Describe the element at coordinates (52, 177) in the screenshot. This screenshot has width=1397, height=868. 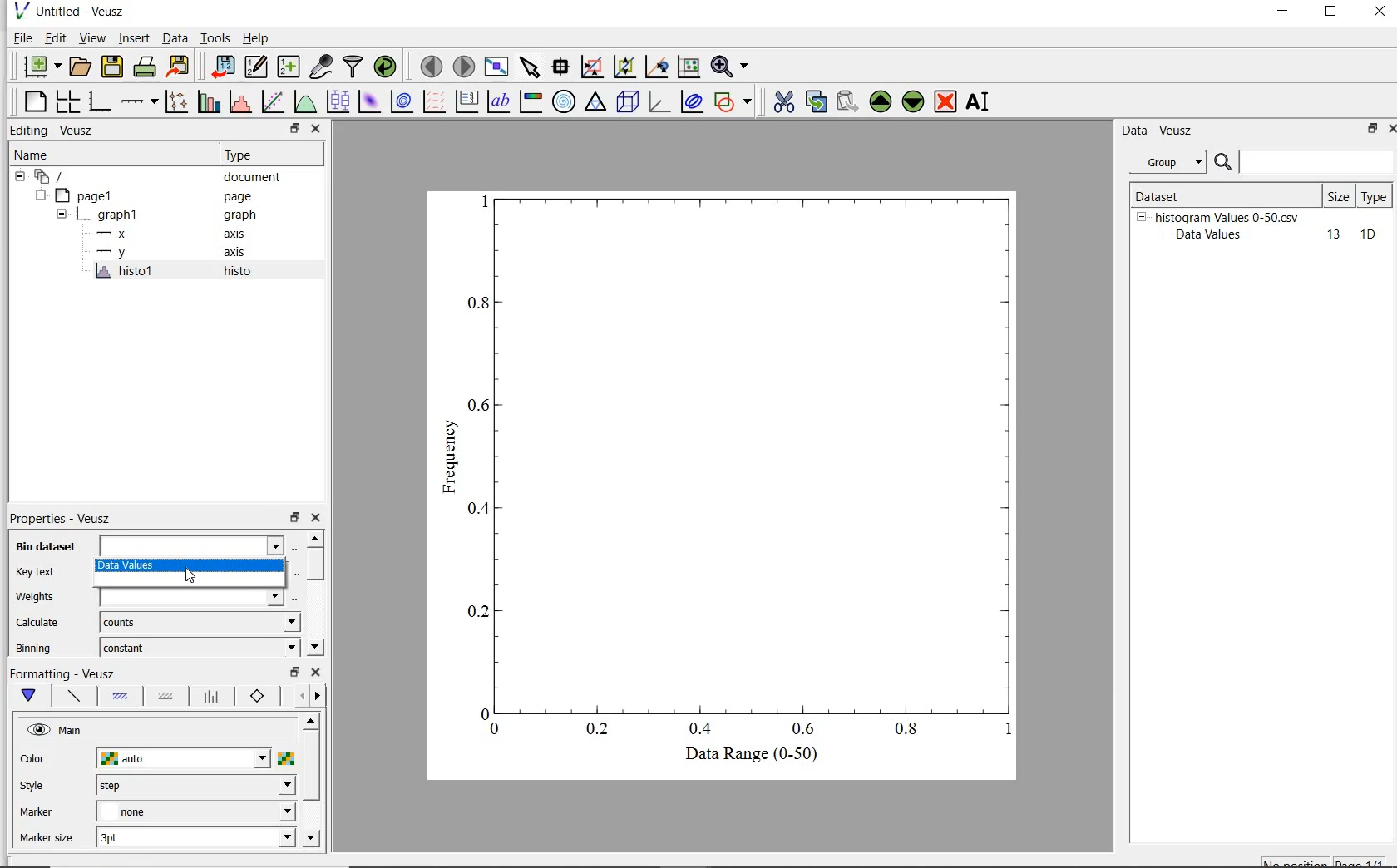
I see `current document` at that location.